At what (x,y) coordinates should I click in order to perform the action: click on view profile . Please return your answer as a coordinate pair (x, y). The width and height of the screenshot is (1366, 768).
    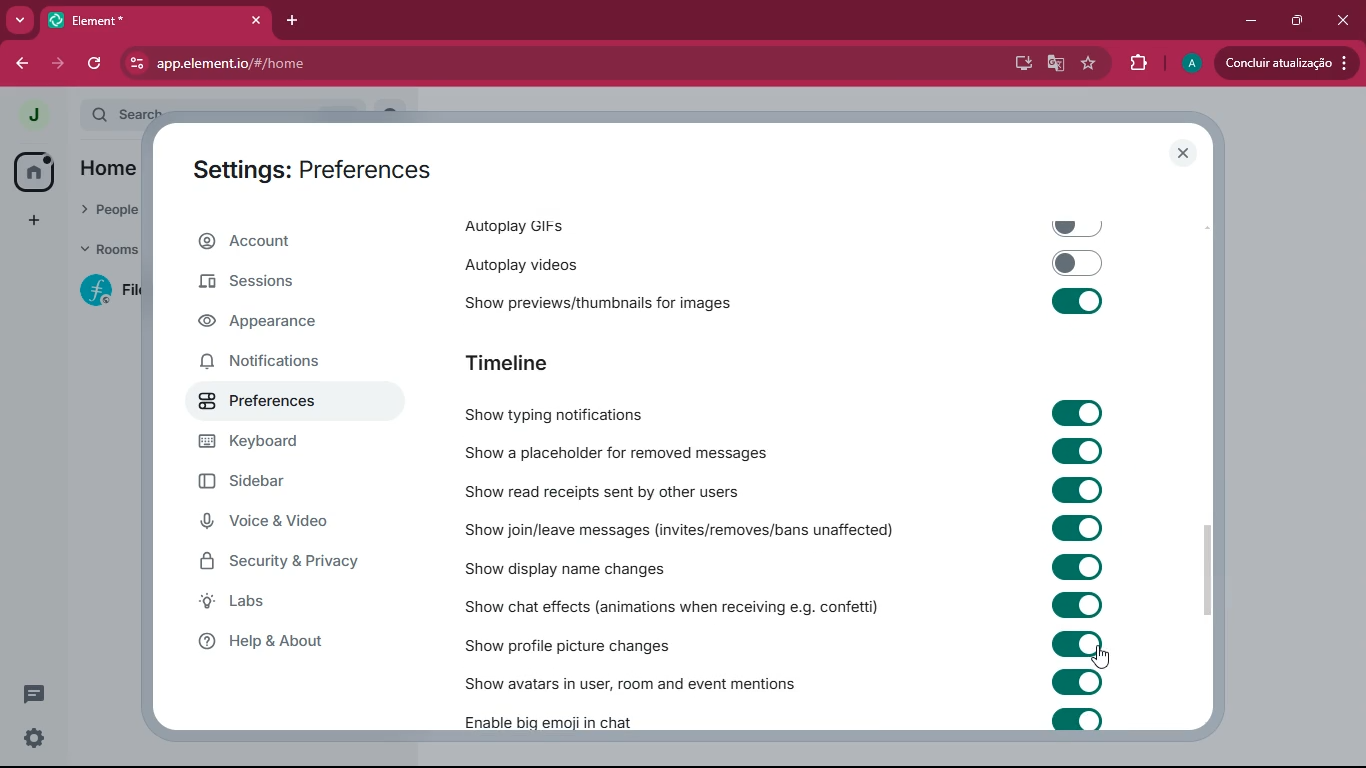
    Looking at the image, I should click on (26, 115).